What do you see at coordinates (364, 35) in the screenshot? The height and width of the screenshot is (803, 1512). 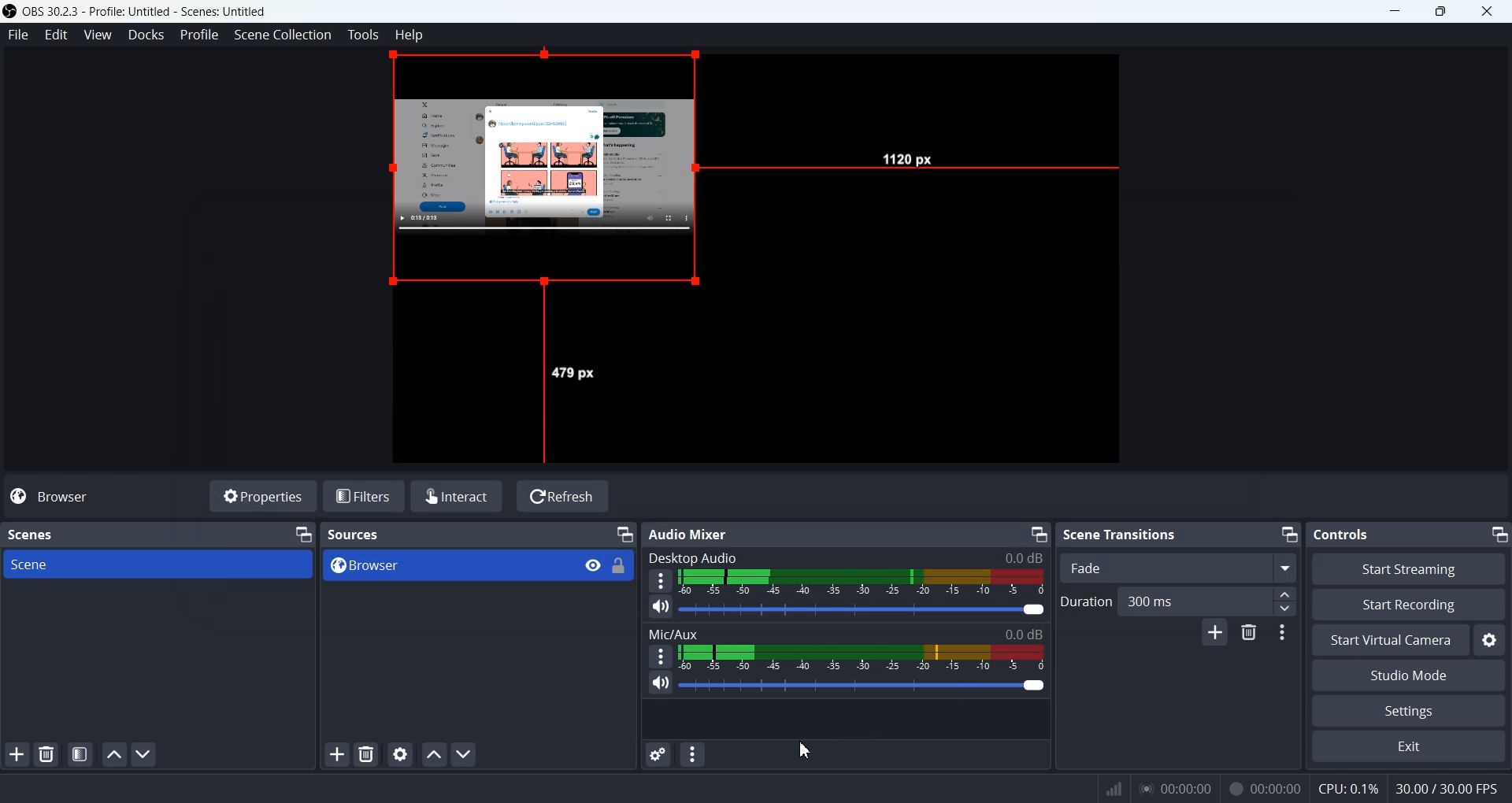 I see `Tools` at bounding box center [364, 35].